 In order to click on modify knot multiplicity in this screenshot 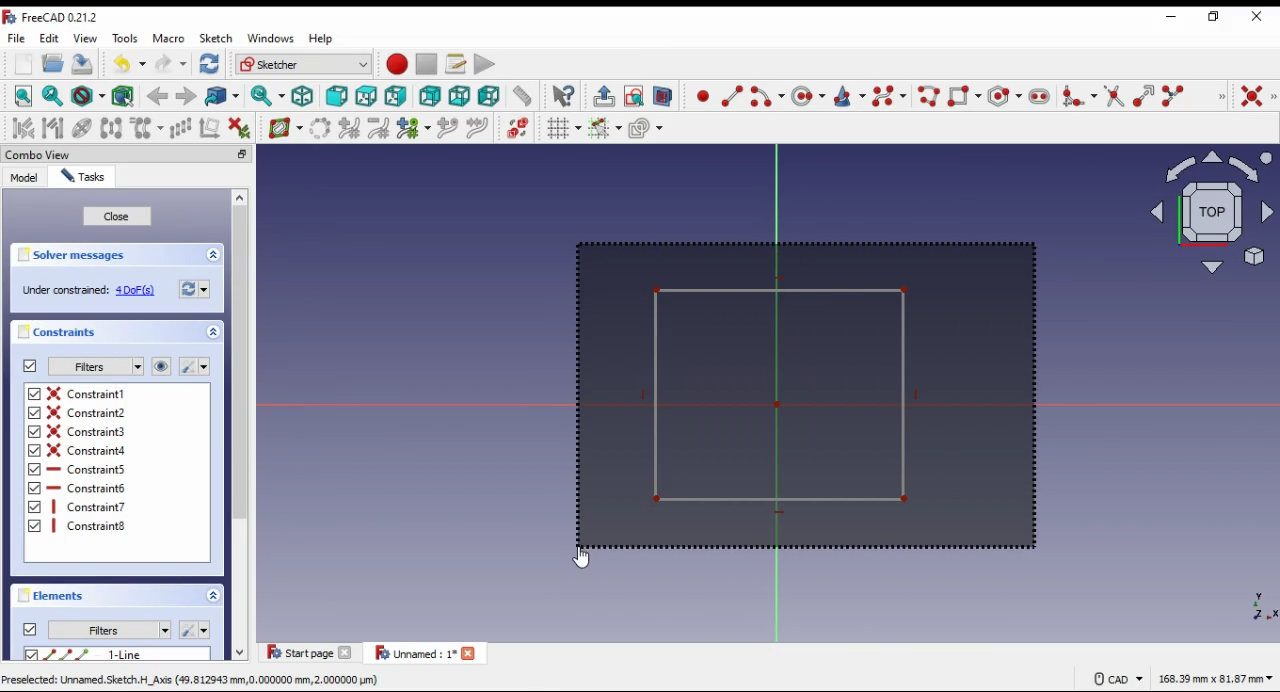, I will do `click(413, 127)`.